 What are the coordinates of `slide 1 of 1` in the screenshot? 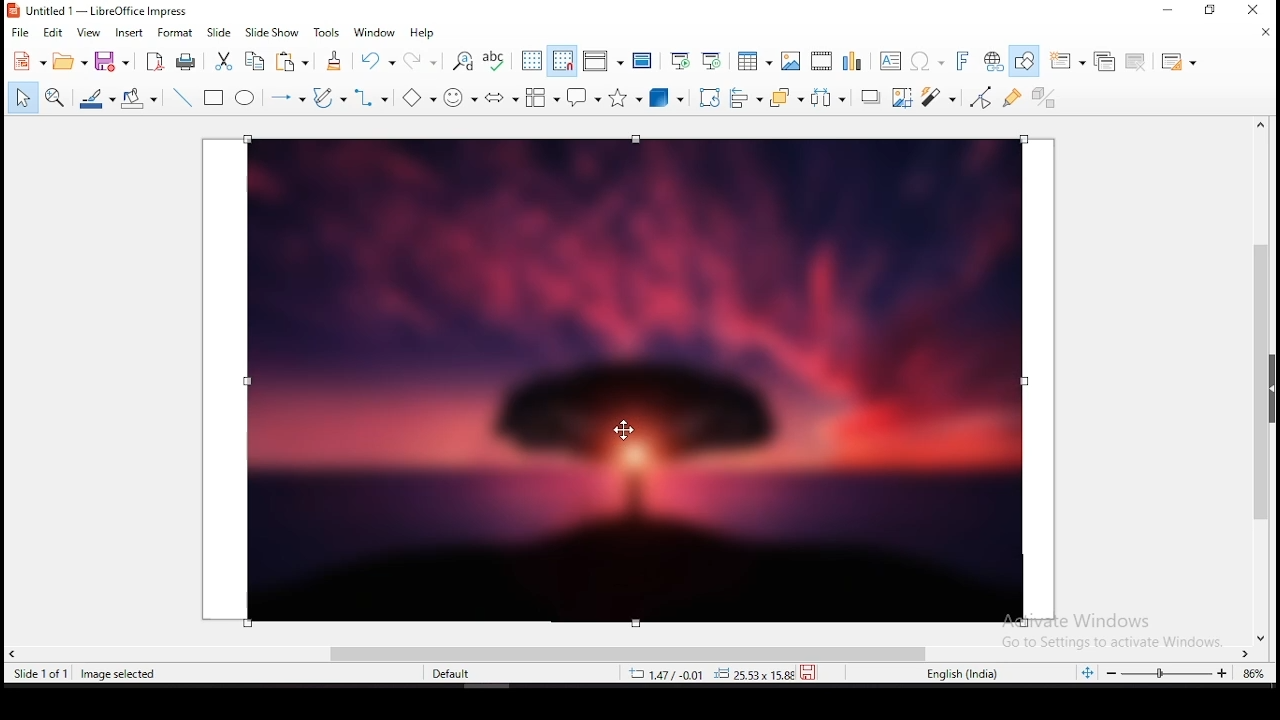 It's located at (39, 676).